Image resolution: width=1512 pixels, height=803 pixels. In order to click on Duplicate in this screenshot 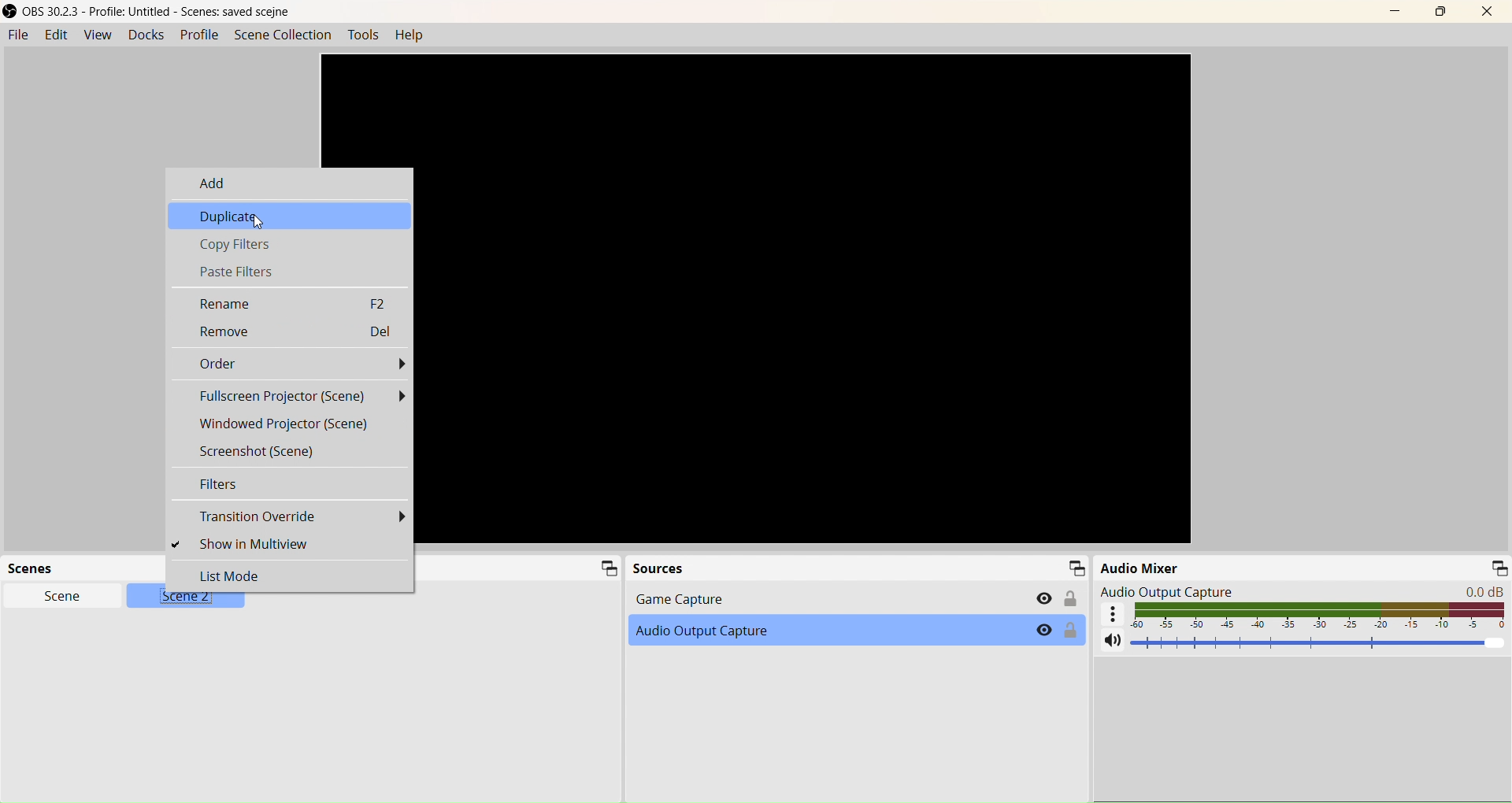, I will do `click(287, 216)`.